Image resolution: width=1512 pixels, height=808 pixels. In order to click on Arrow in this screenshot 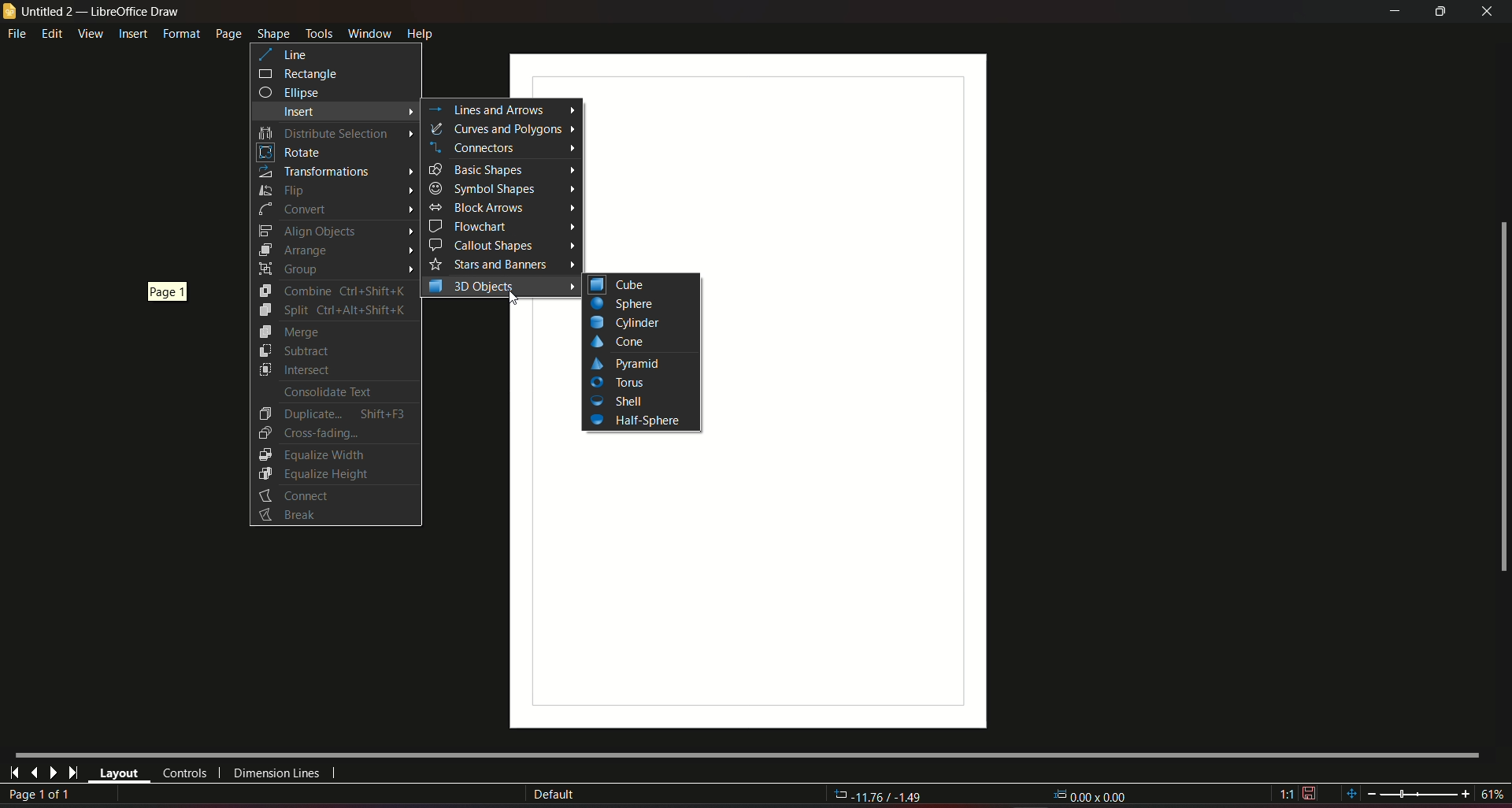, I will do `click(410, 132)`.